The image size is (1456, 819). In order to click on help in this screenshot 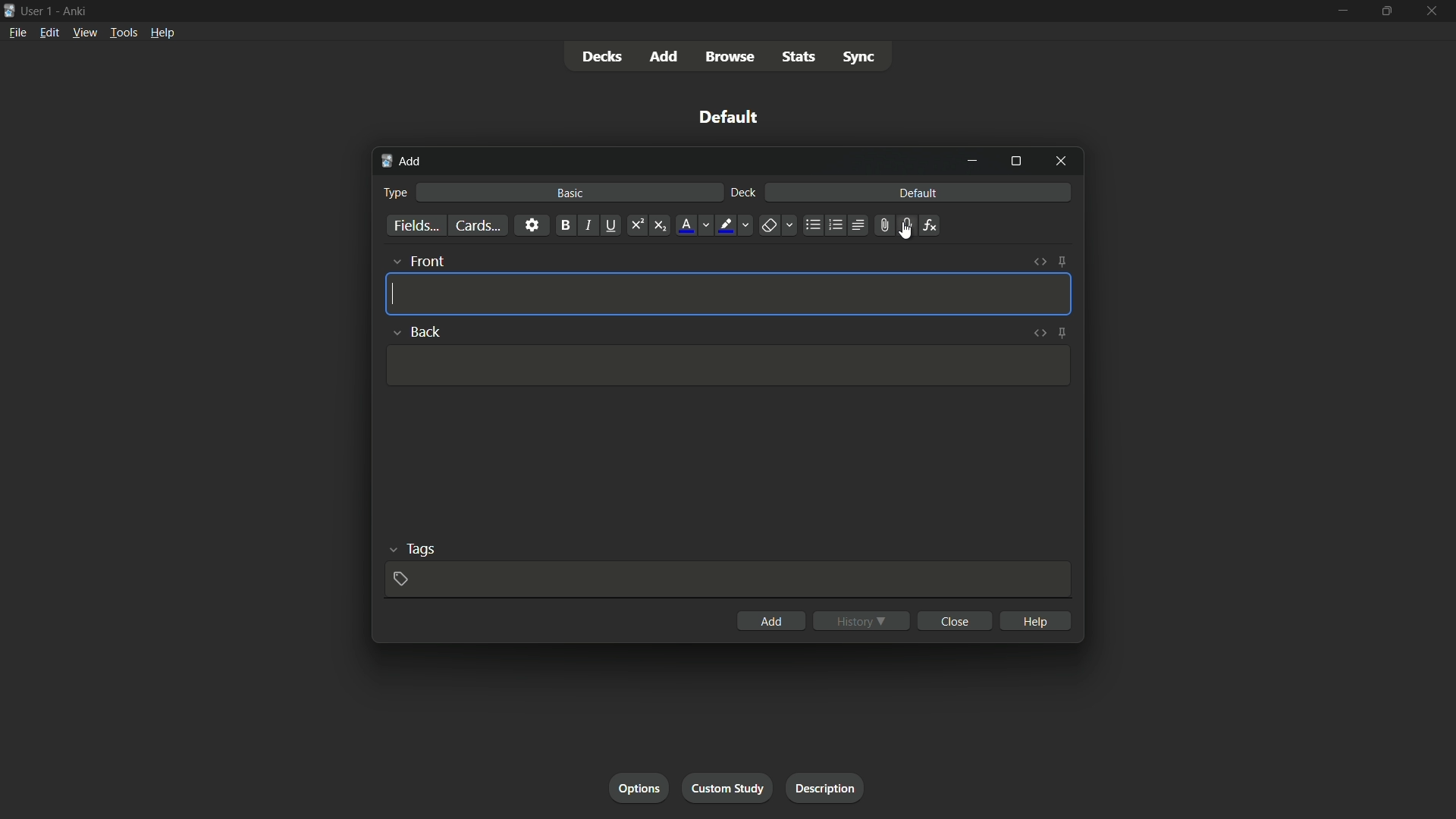, I will do `click(1035, 620)`.